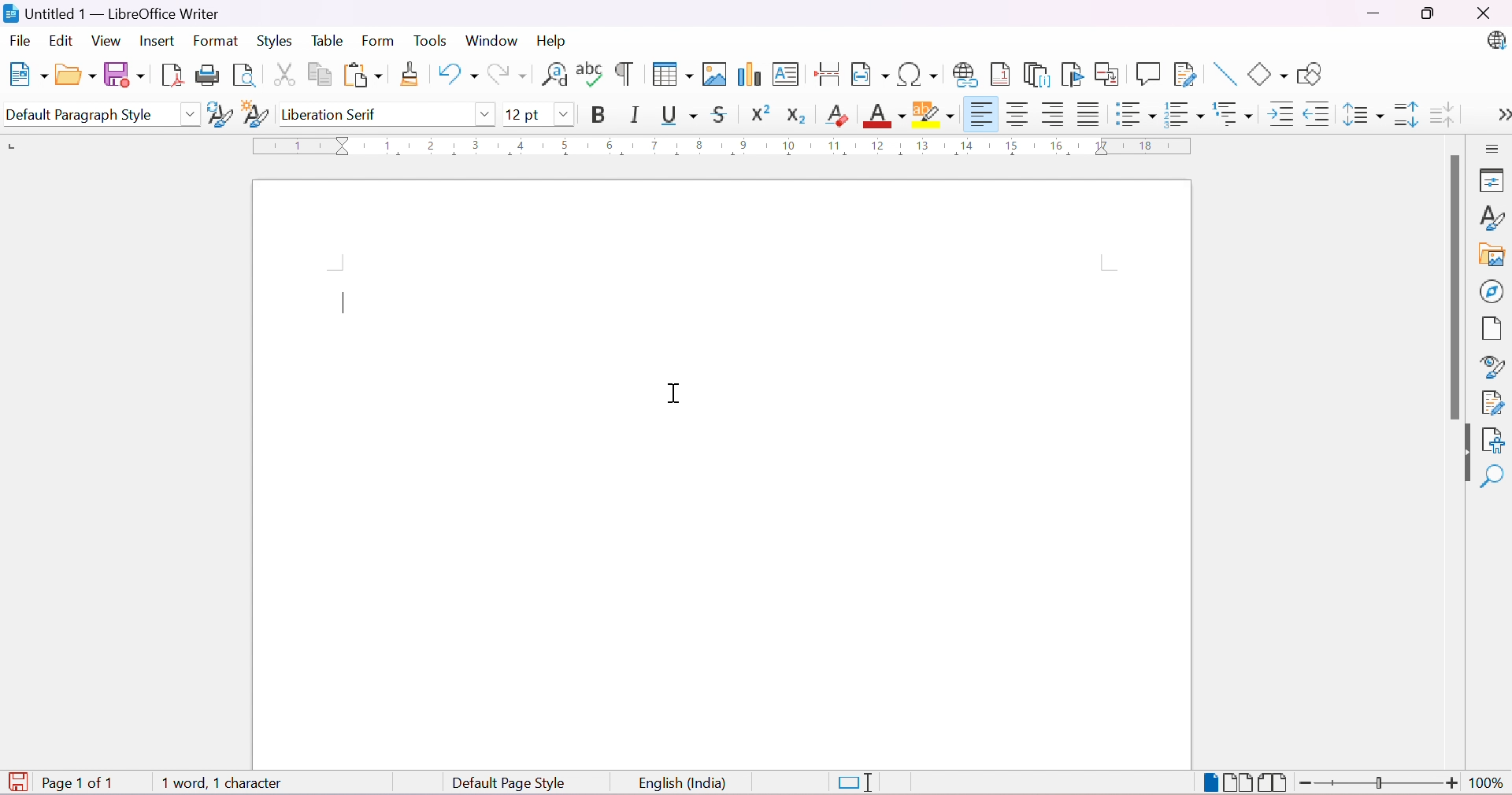 The width and height of the screenshot is (1512, 795). Describe the element at coordinates (603, 114) in the screenshot. I see `Bold` at that location.